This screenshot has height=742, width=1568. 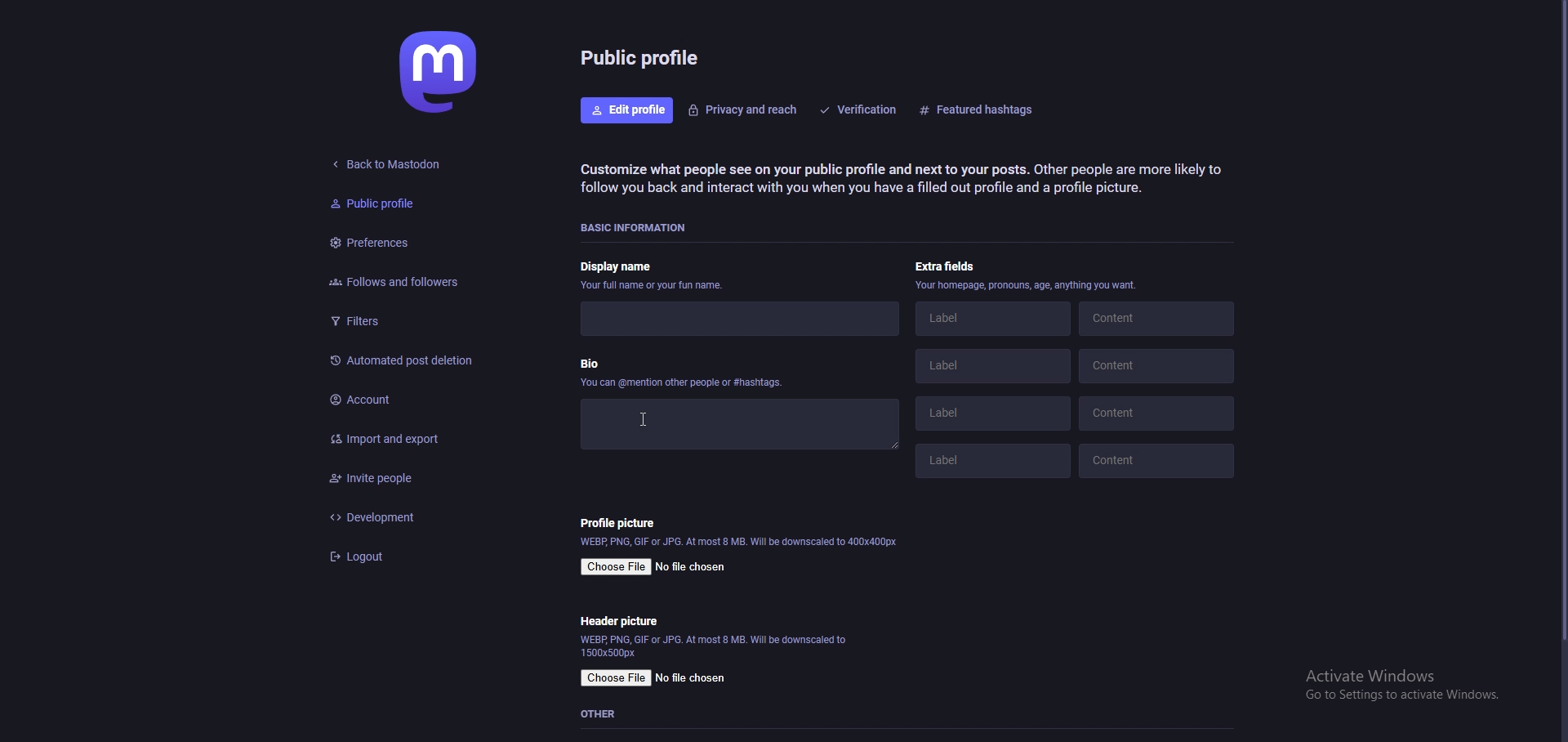 I want to click on info, so click(x=899, y=178).